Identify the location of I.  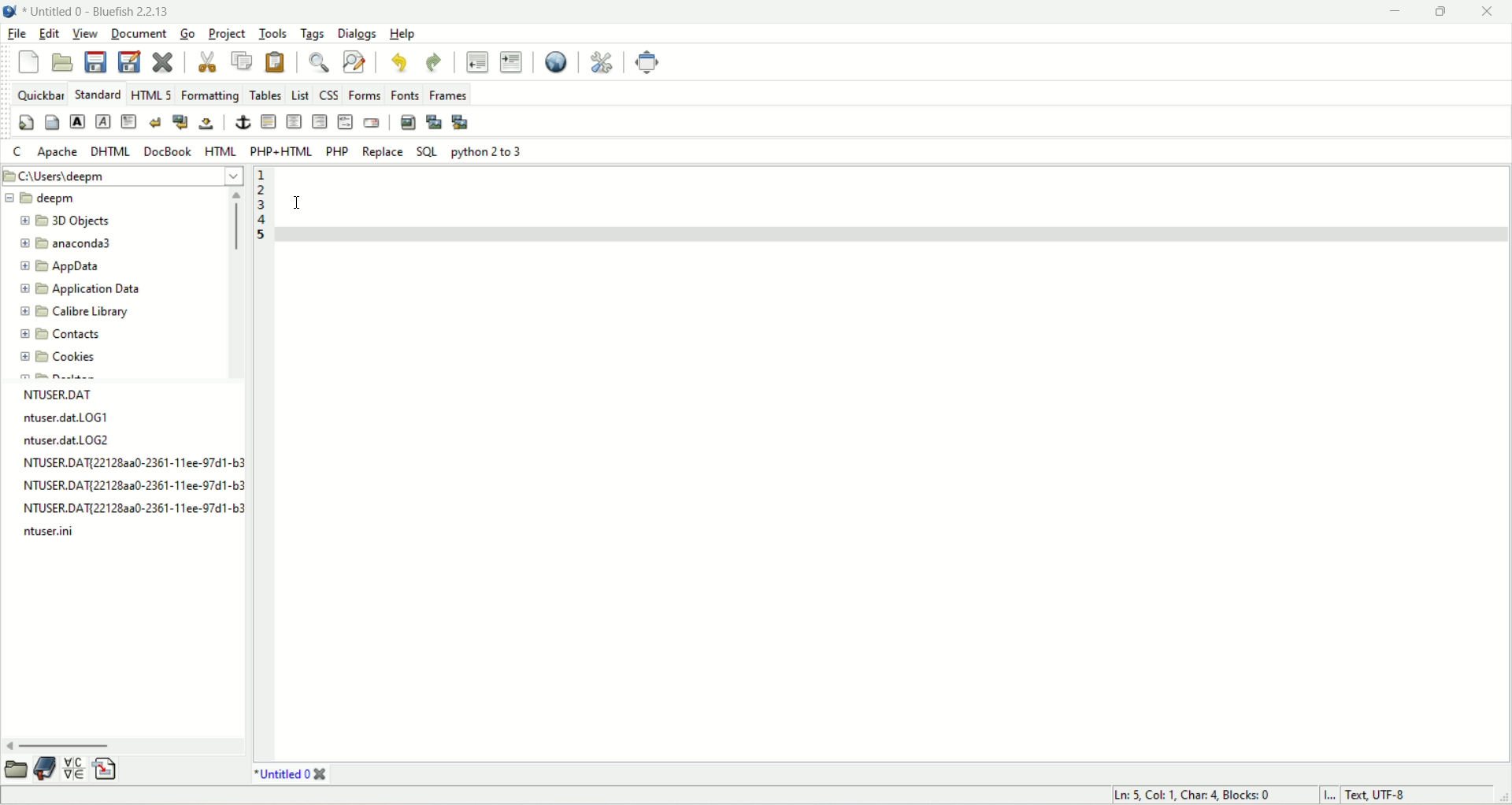
(1325, 795).